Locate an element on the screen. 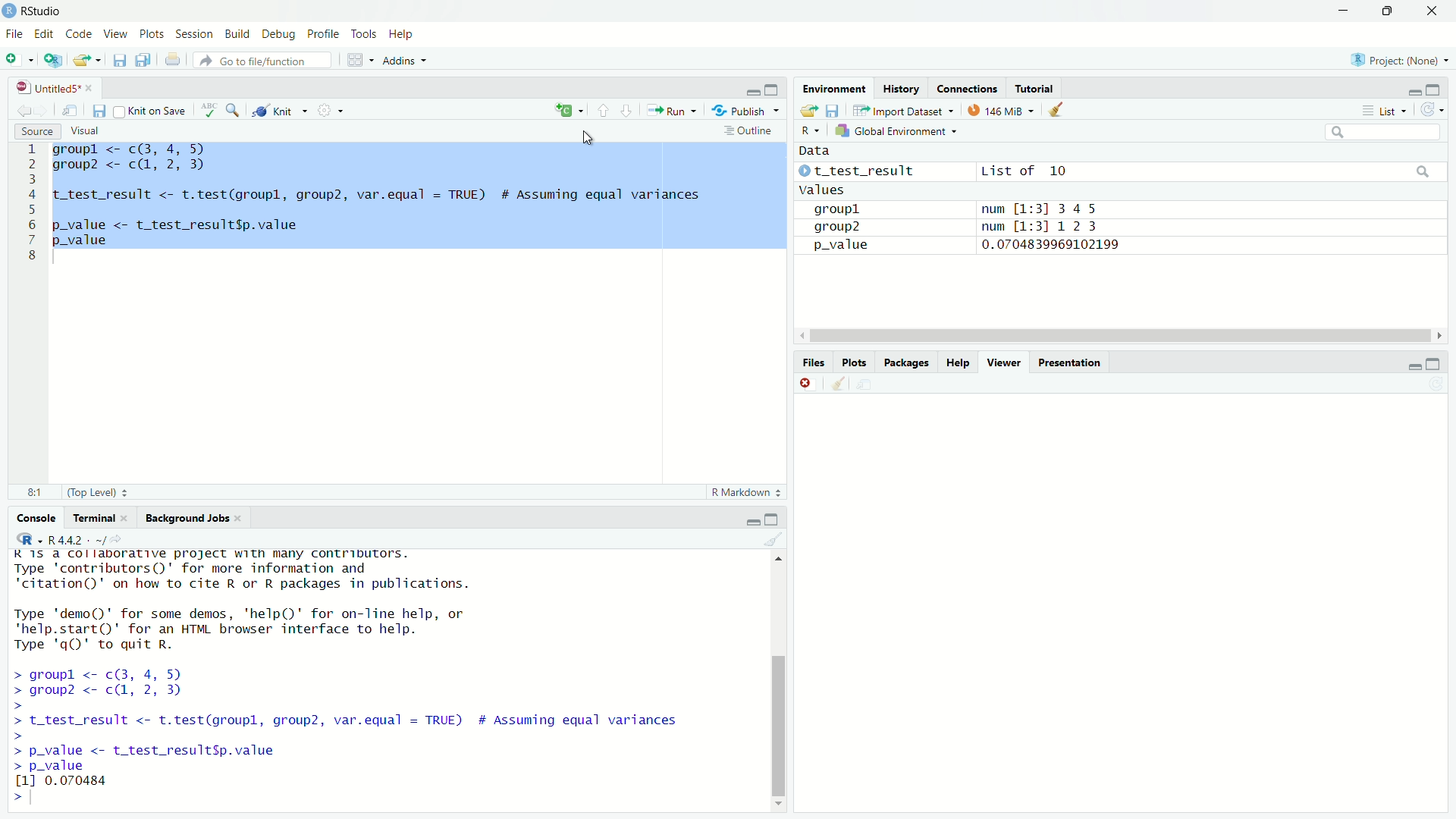 The image size is (1456, 819). search is located at coordinates (1423, 169).